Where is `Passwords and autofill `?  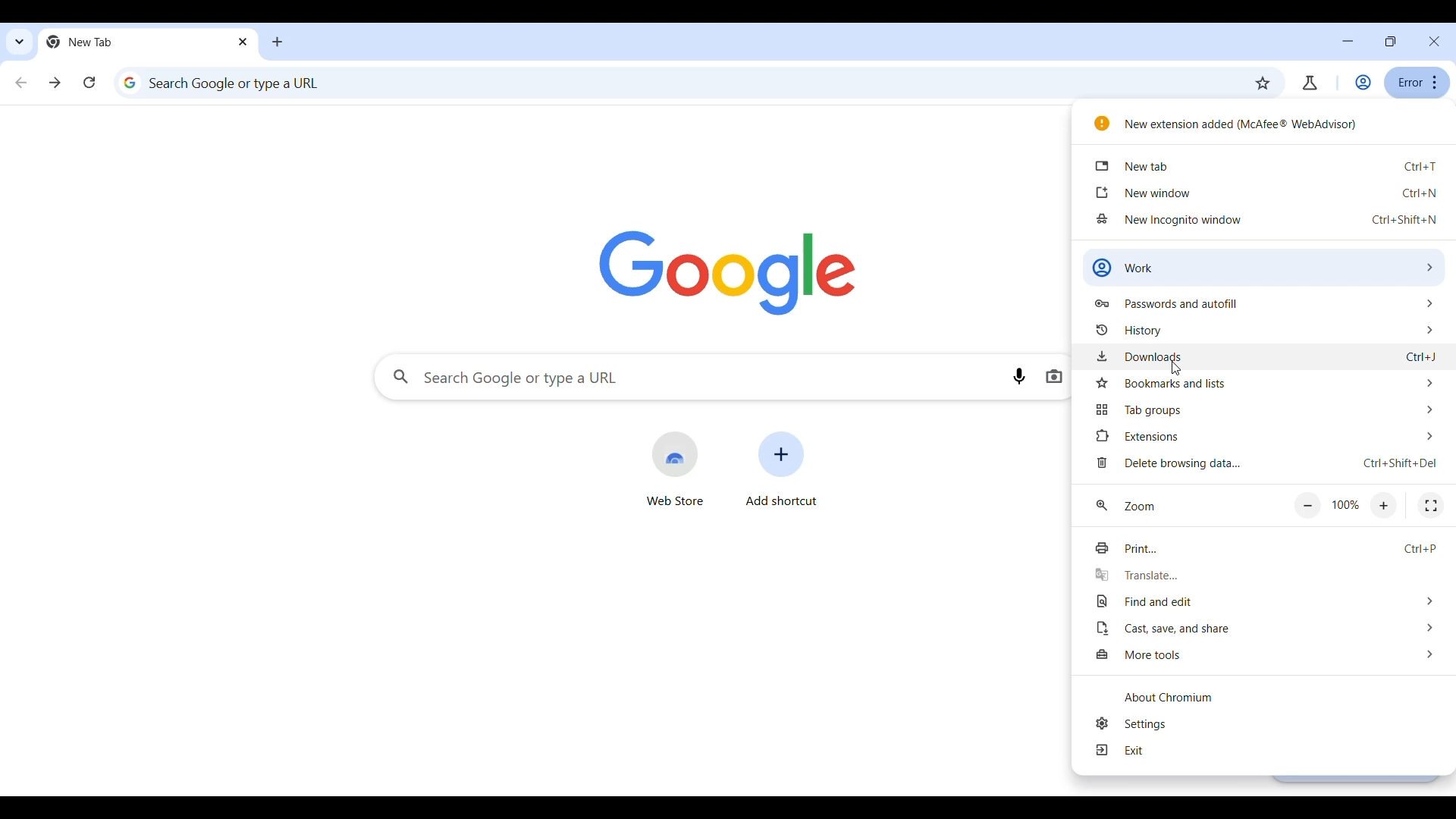 Passwords and autofill  is located at coordinates (1263, 303).